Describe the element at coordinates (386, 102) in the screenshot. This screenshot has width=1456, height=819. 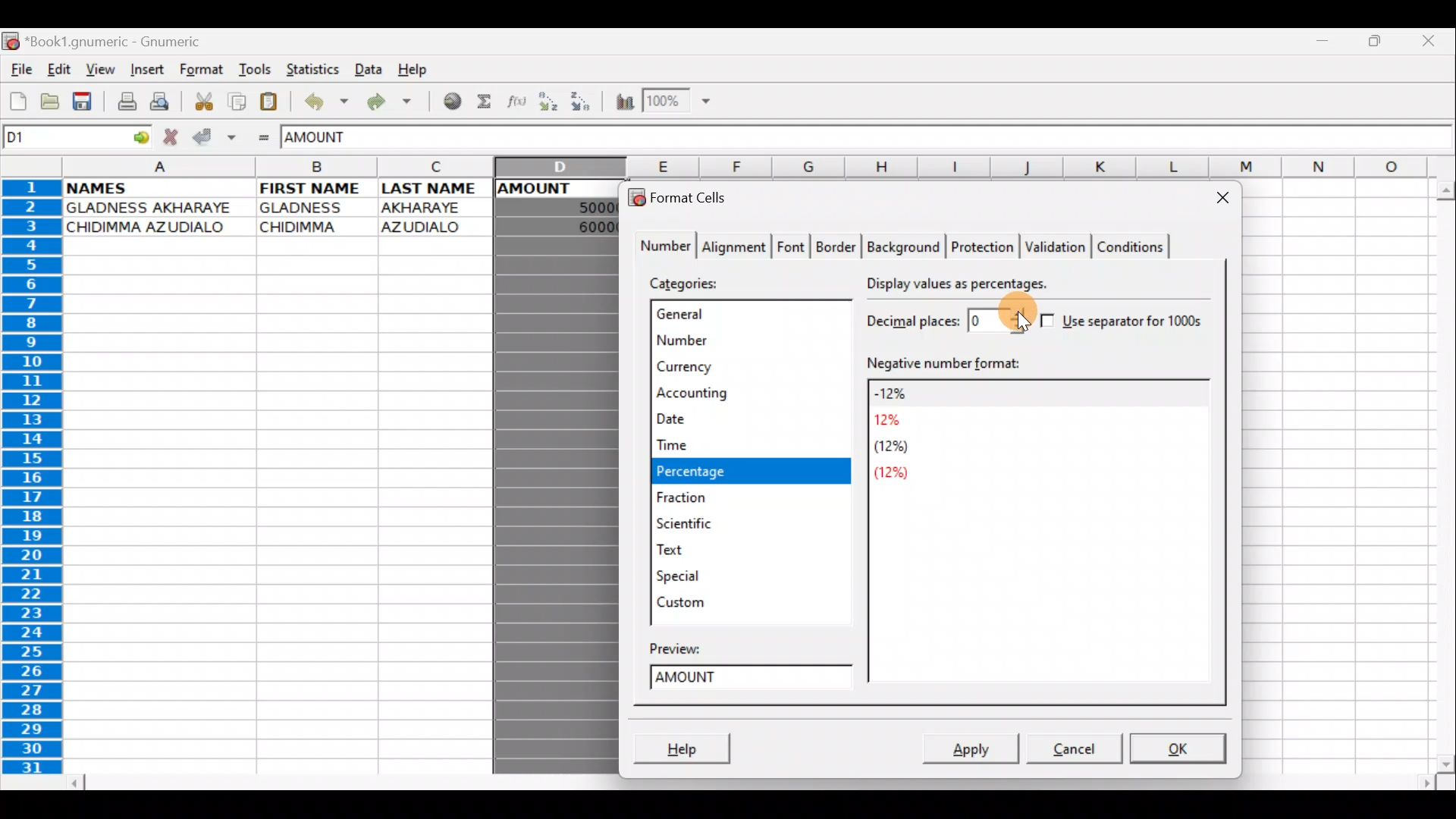
I see `Redo undone action` at that location.